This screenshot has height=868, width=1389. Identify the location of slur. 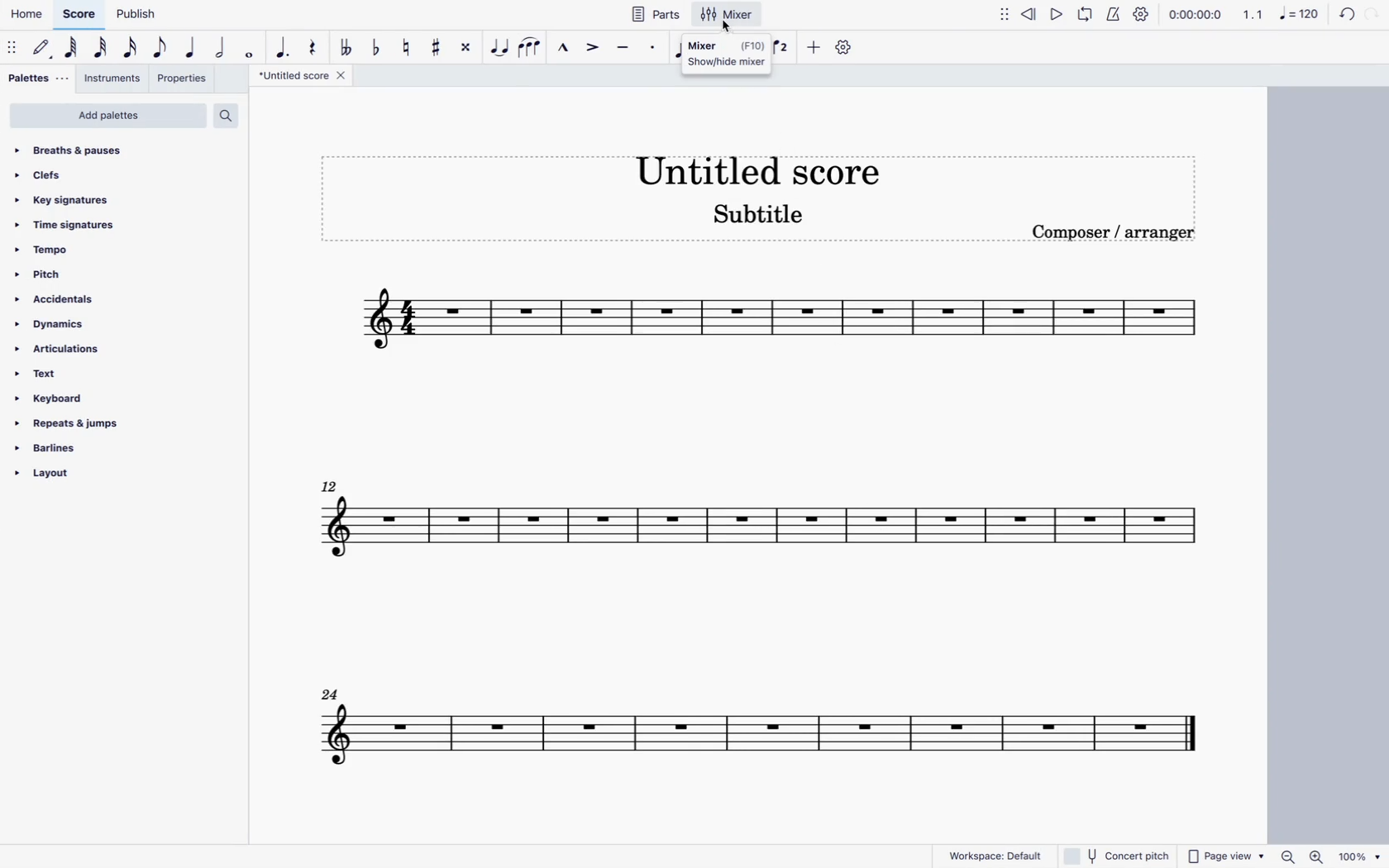
(531, 46).